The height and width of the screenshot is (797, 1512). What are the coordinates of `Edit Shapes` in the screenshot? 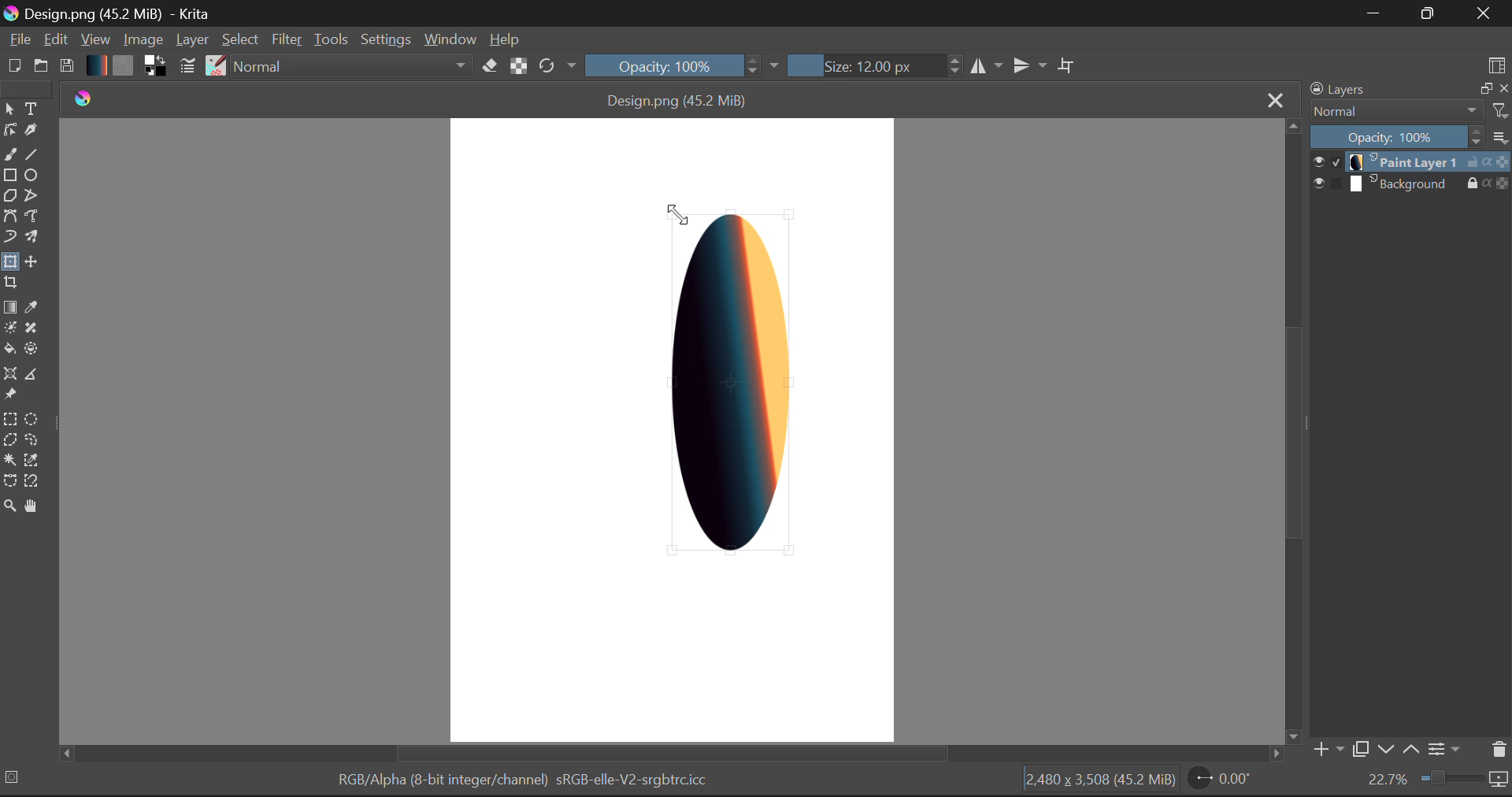 It's located at (9, 128).